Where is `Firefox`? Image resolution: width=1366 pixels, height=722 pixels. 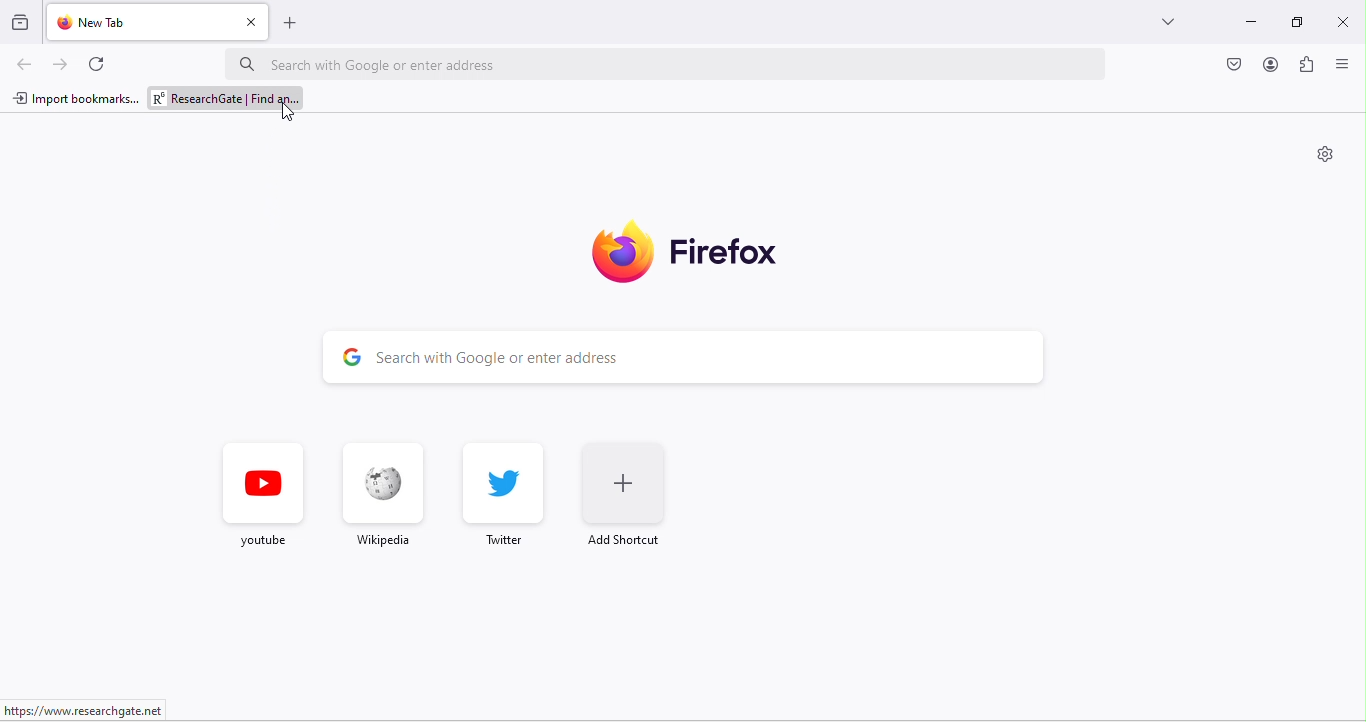 Firefox is located at coordinates (729, 248).